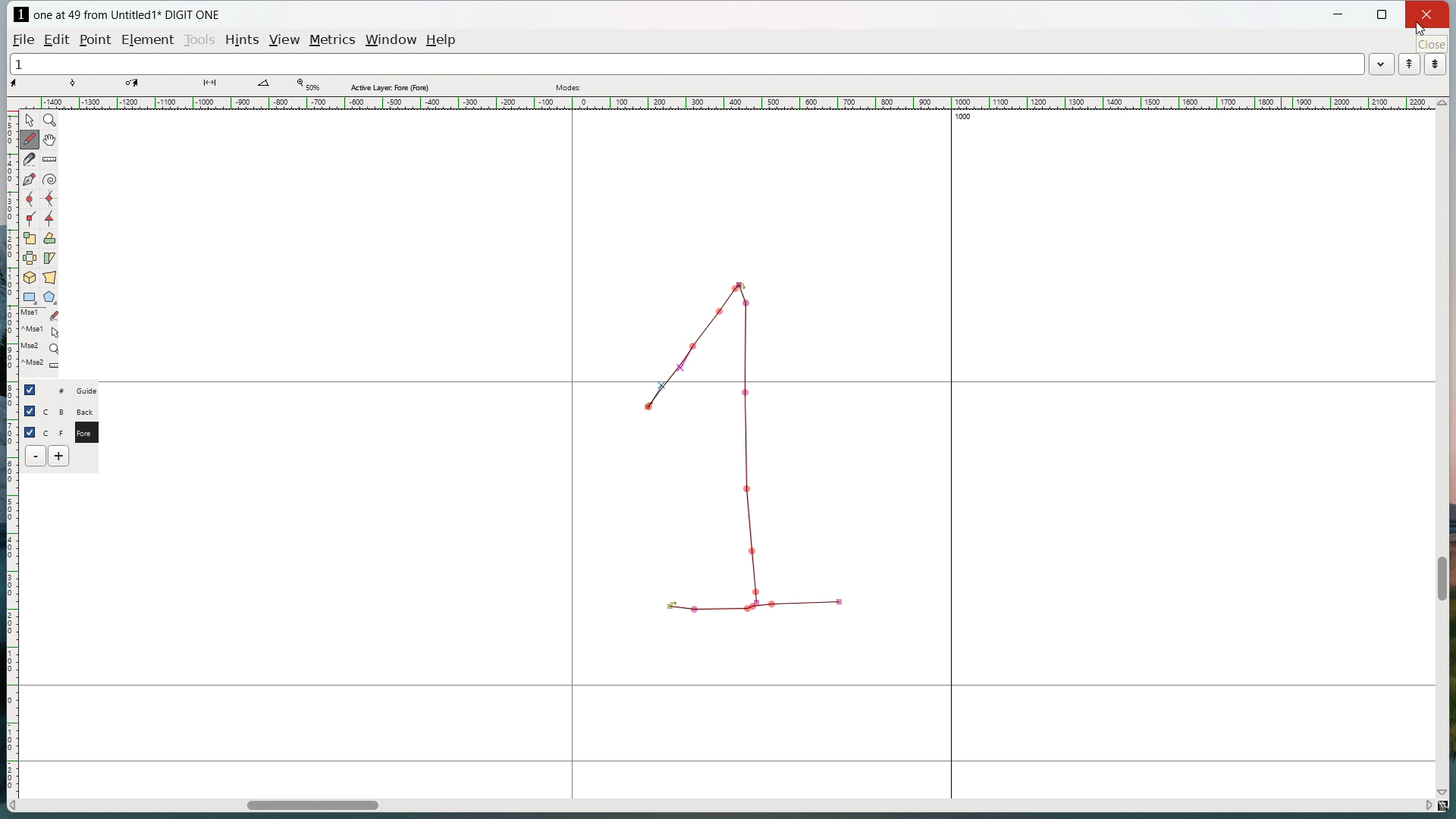 The width and height of the screenshot is (1456, 819). Describe the element at coordinates (30, 237) in the screenshot. I see `scale` at that location.